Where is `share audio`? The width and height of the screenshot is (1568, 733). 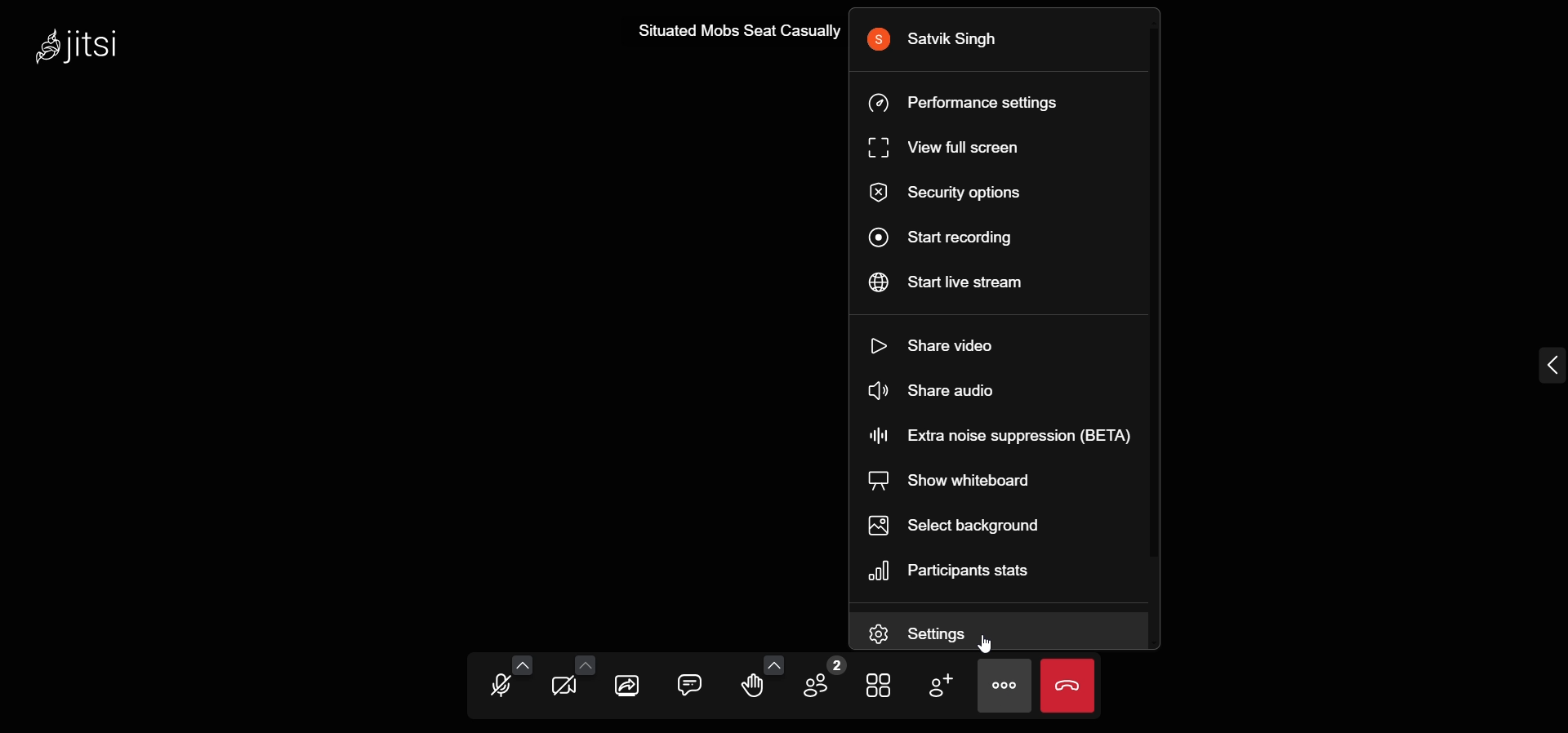 share audio is located at coordinates (950, 391).